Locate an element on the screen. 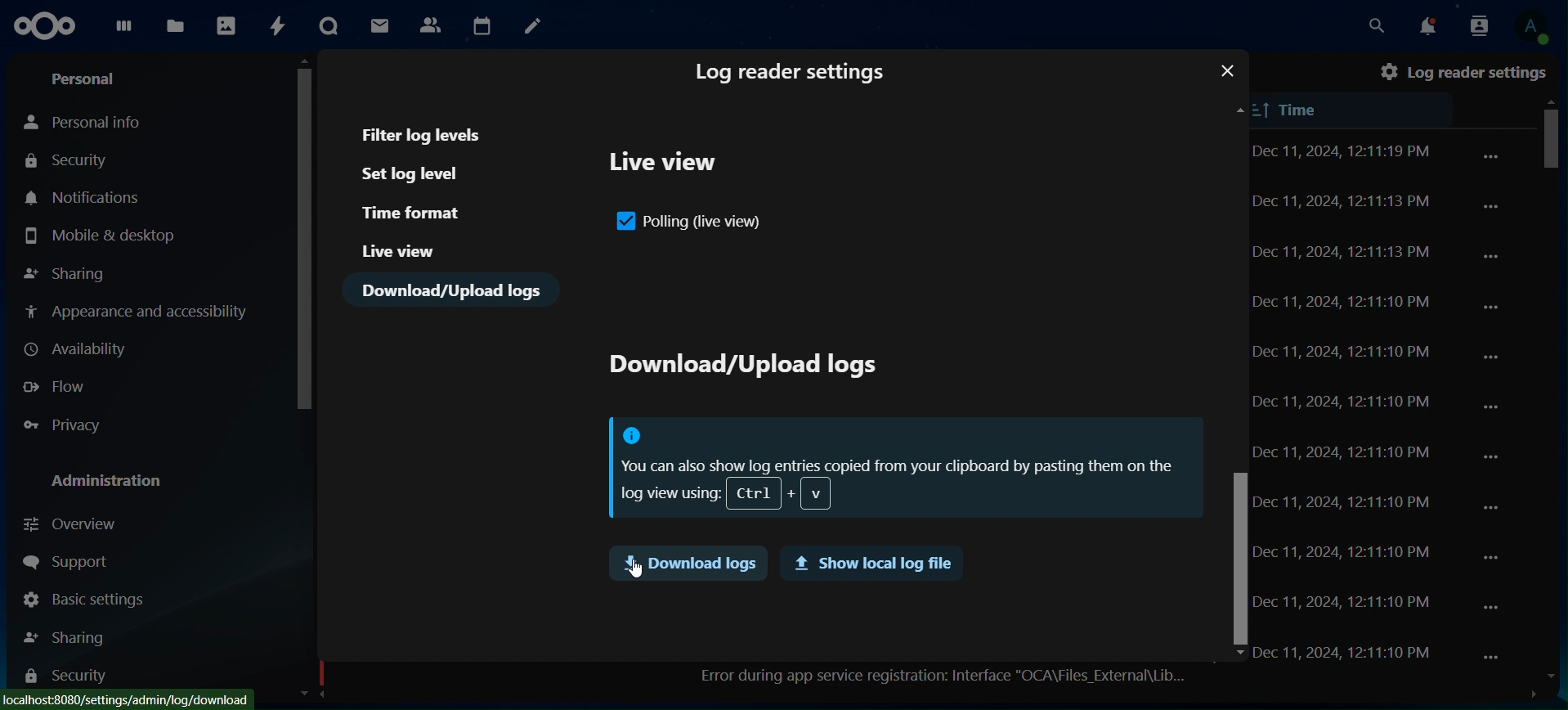 Image resolution: width=1568 pixels, height=710 pixels. log reader settings is located at coordinates (792, 74).